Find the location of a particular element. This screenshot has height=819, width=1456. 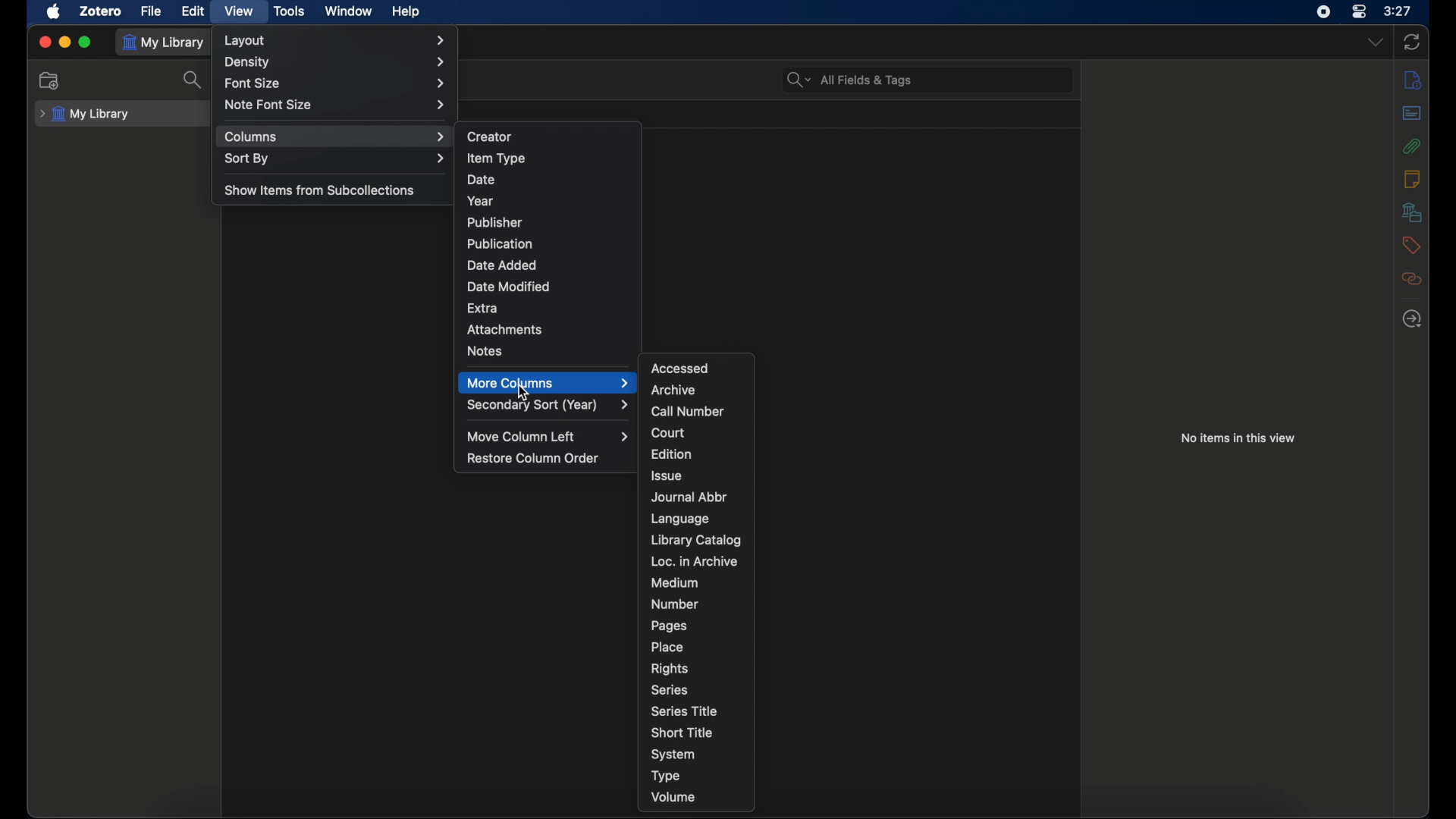

system is located at coordinates (674, 755).